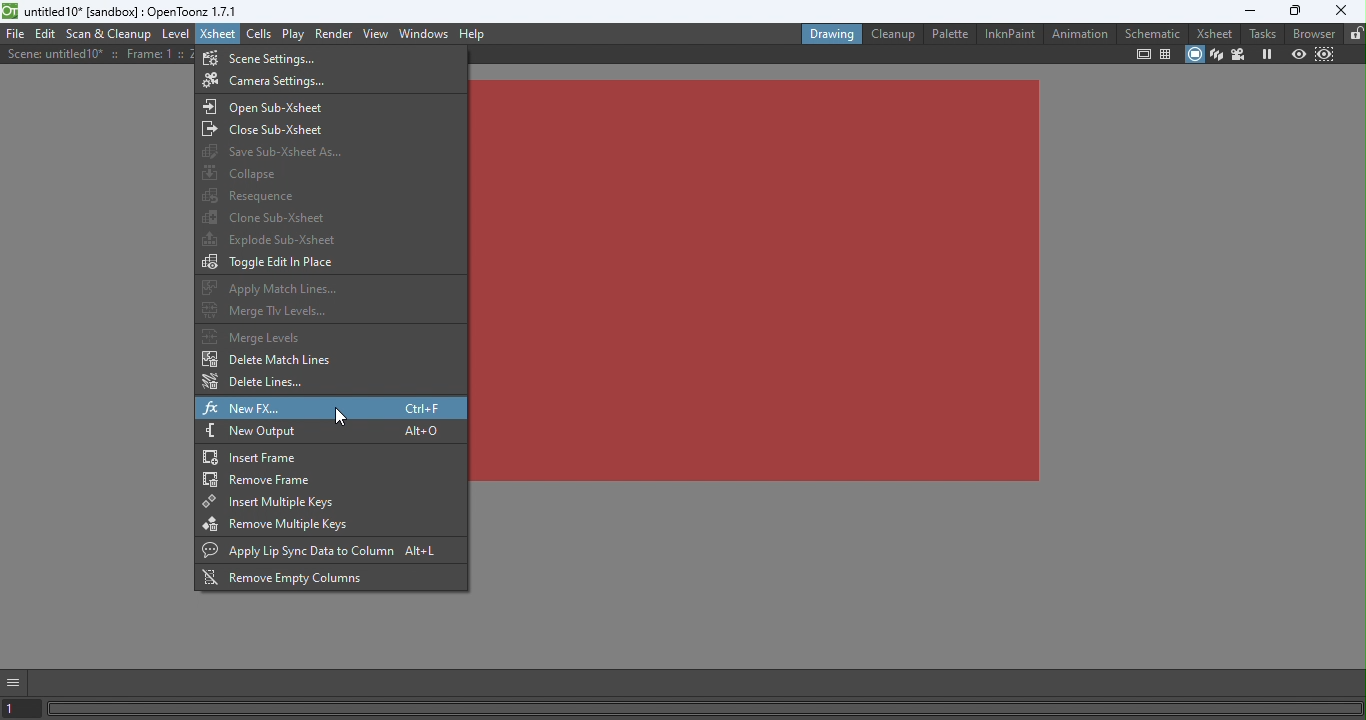 The height and width of the screenshot is (720, 1366). Describe the element at coordinates (281, 105) in the screenshot. I see `Open sub-Xsheet` at that location.